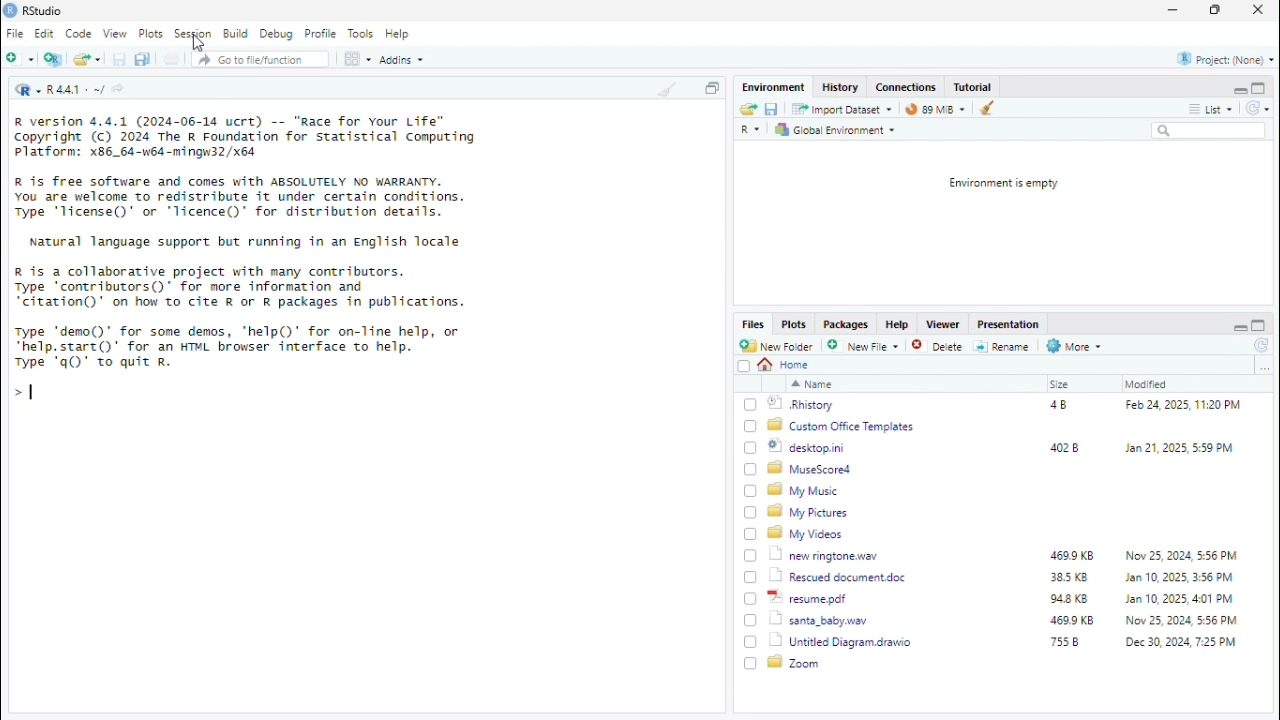 The image size is (1280, 720). I want to click on MuseScored, so click(810, 469).